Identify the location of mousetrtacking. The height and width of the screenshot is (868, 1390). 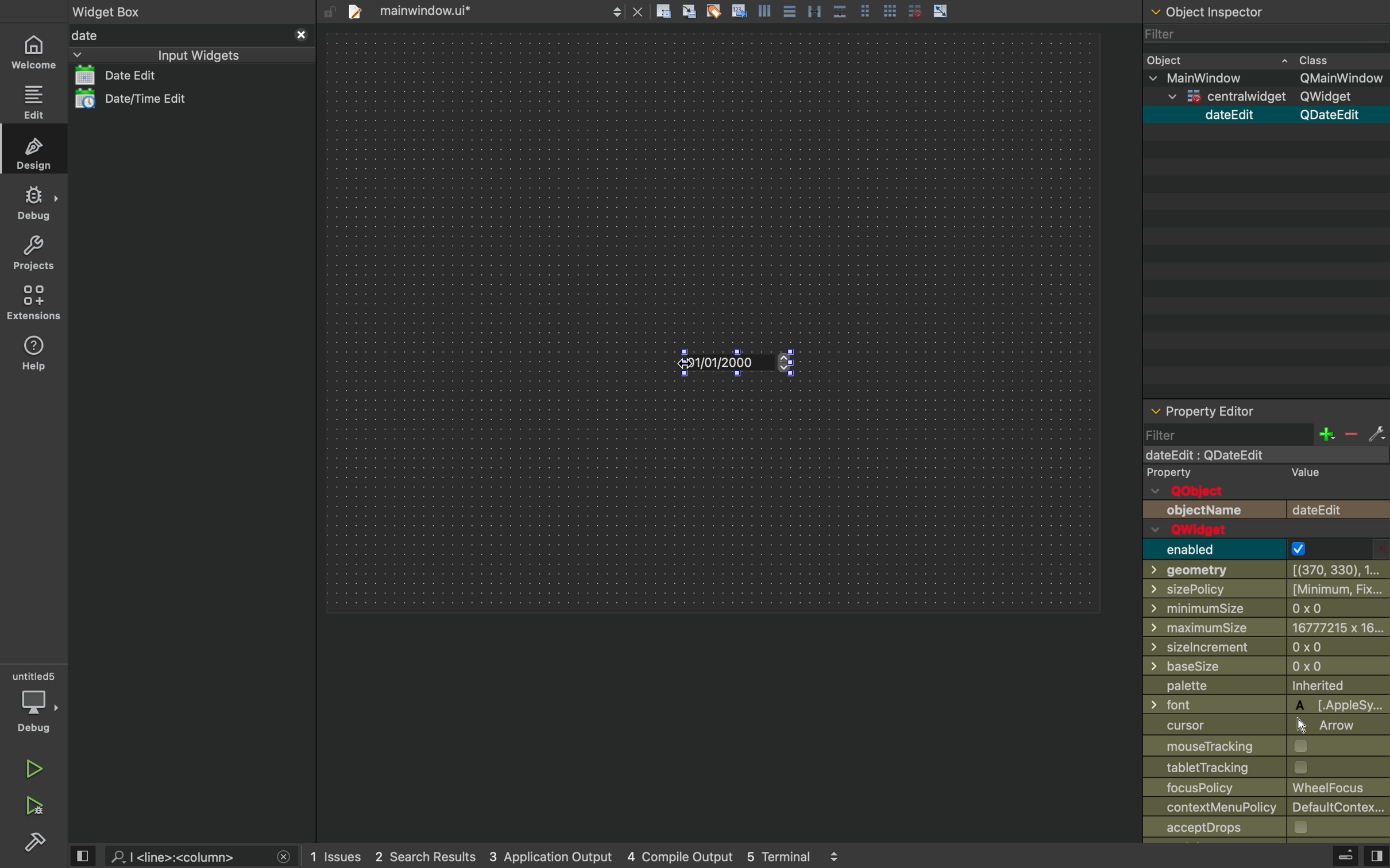
(1259, 747).